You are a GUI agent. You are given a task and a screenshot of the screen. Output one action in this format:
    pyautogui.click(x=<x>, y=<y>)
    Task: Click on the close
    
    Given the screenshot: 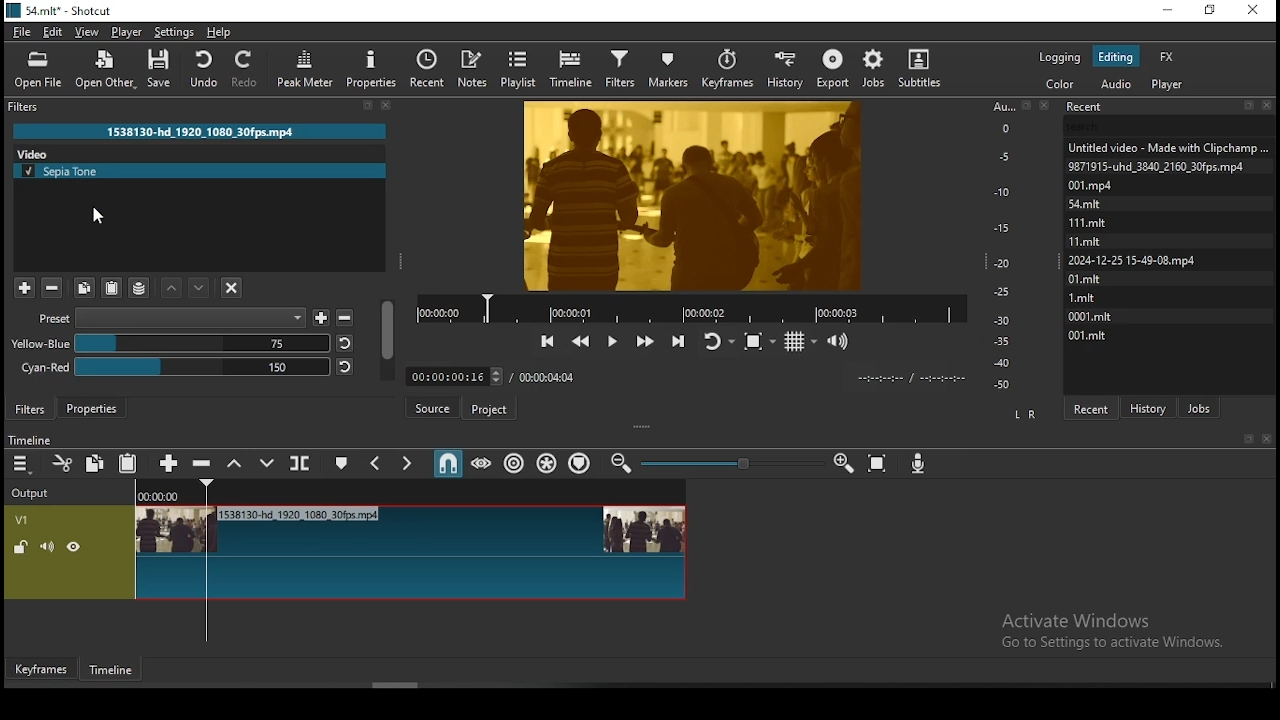 What is the action you would take?
    pyautogui.click(x=1267, y=440)
    